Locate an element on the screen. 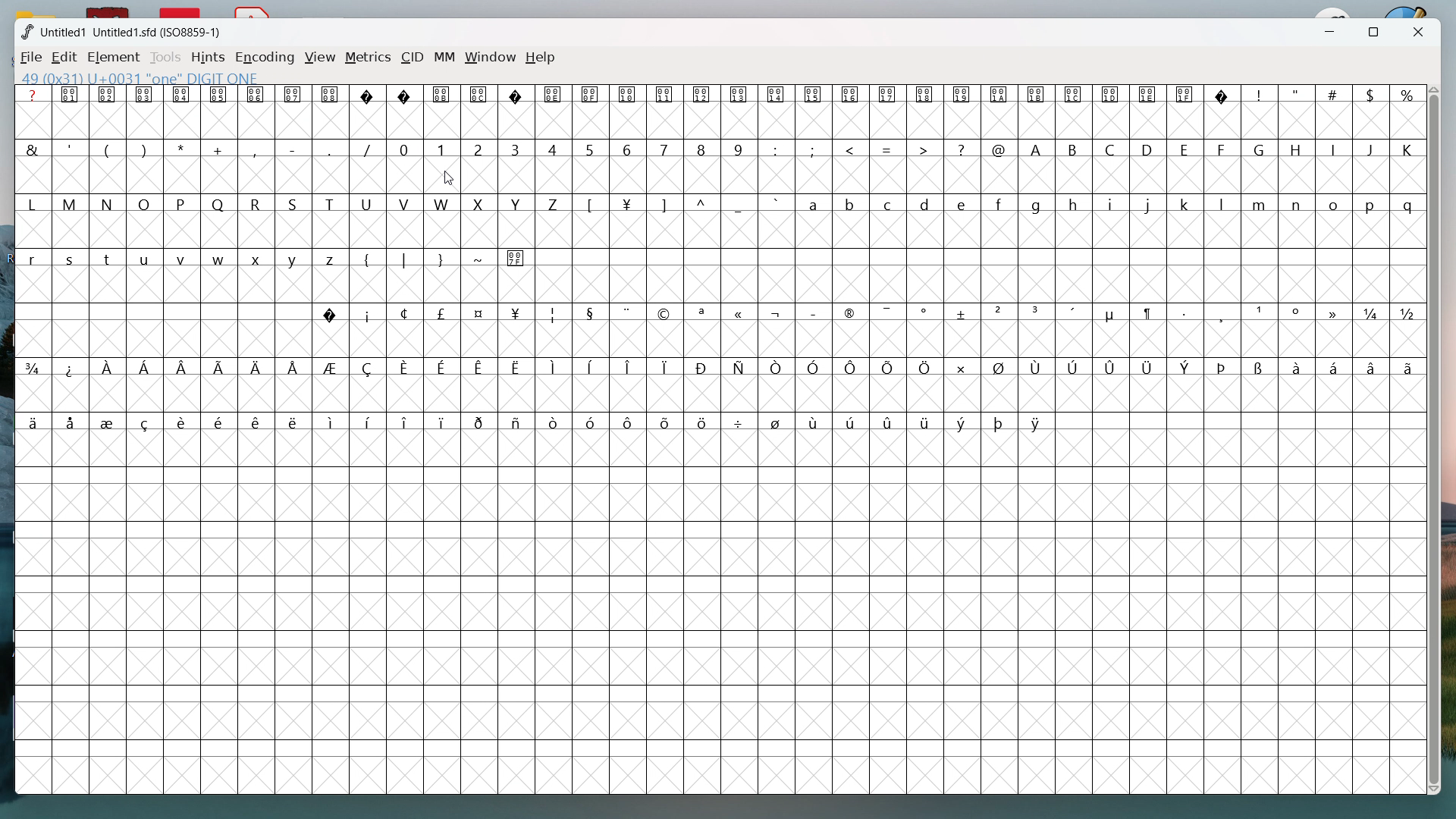 The width and height of the screenshot is (1456, 819). minimize is located at coordinates (1326, 33).